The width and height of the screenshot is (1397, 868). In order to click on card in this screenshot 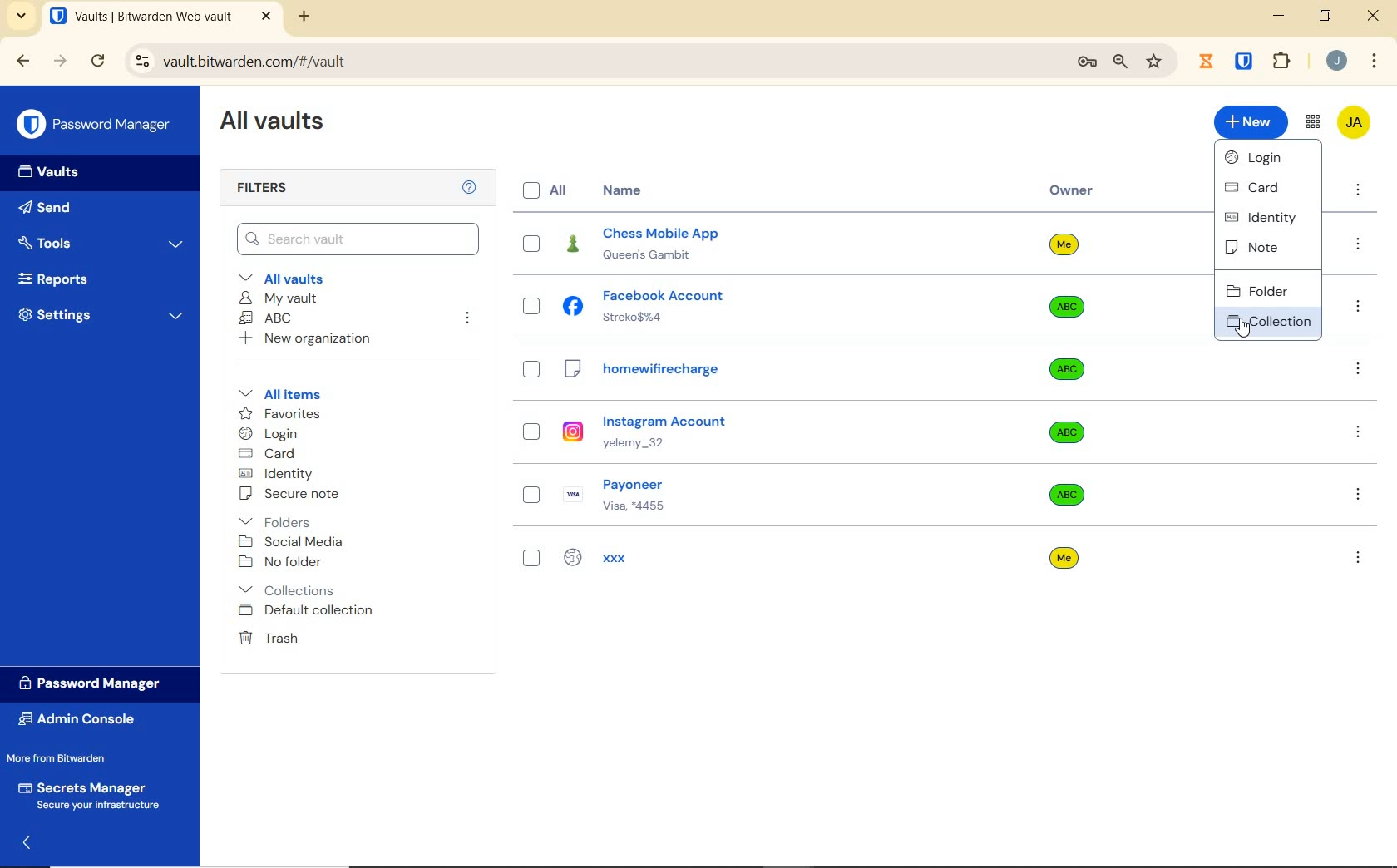, I will do `click(270, 456)`.